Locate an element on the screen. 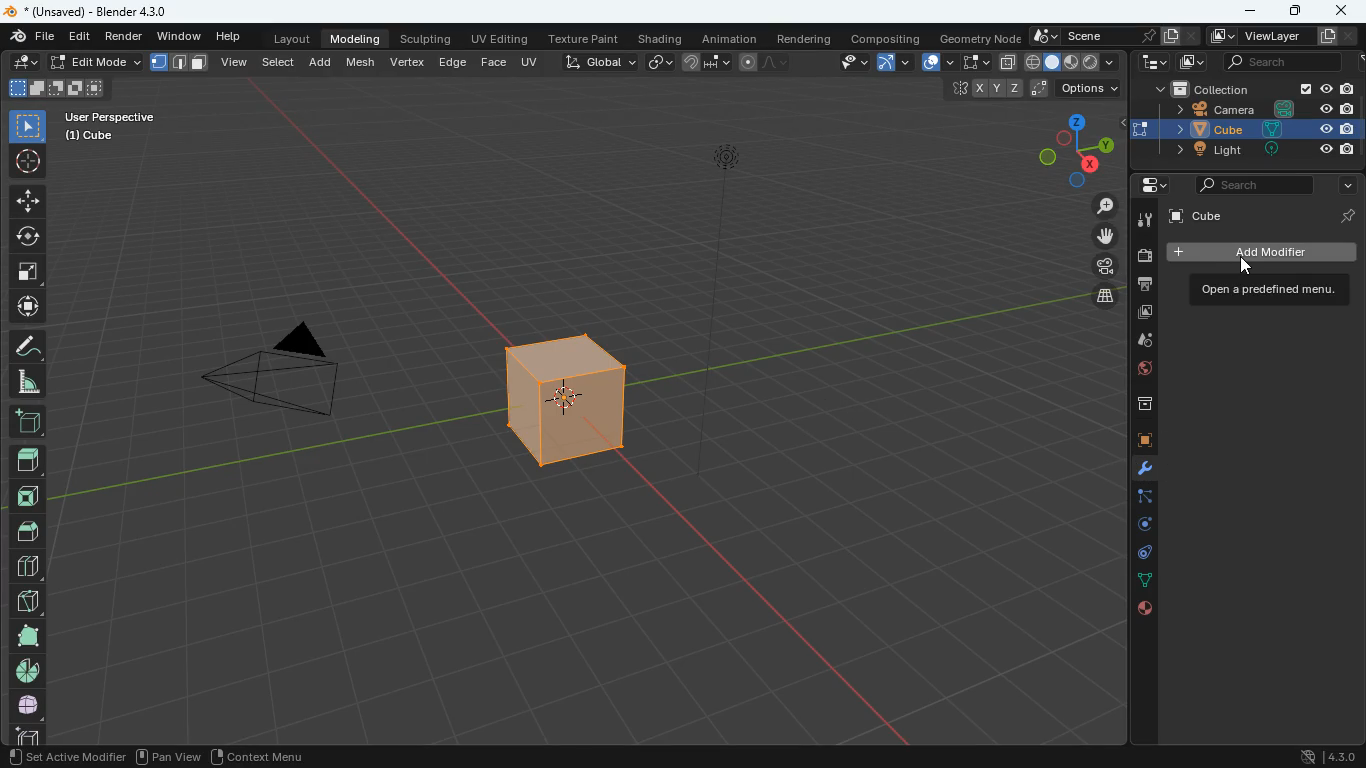 Image resolution: width=1366 pixels, height=768 pixels. cube is located at coordinates (1135, 442).